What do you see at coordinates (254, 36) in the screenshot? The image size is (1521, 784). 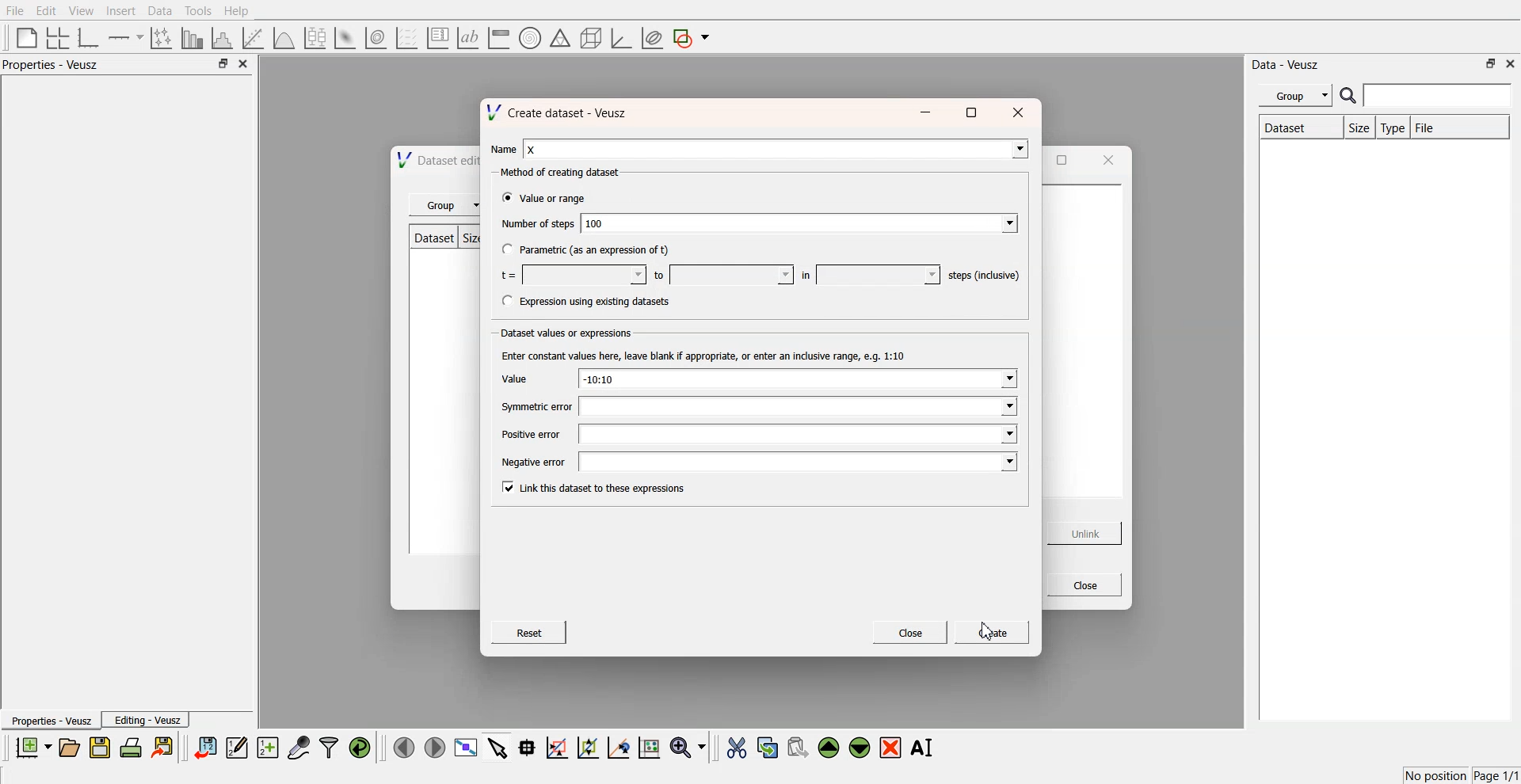 I see `fit a function` at bounding box center [254, 36].